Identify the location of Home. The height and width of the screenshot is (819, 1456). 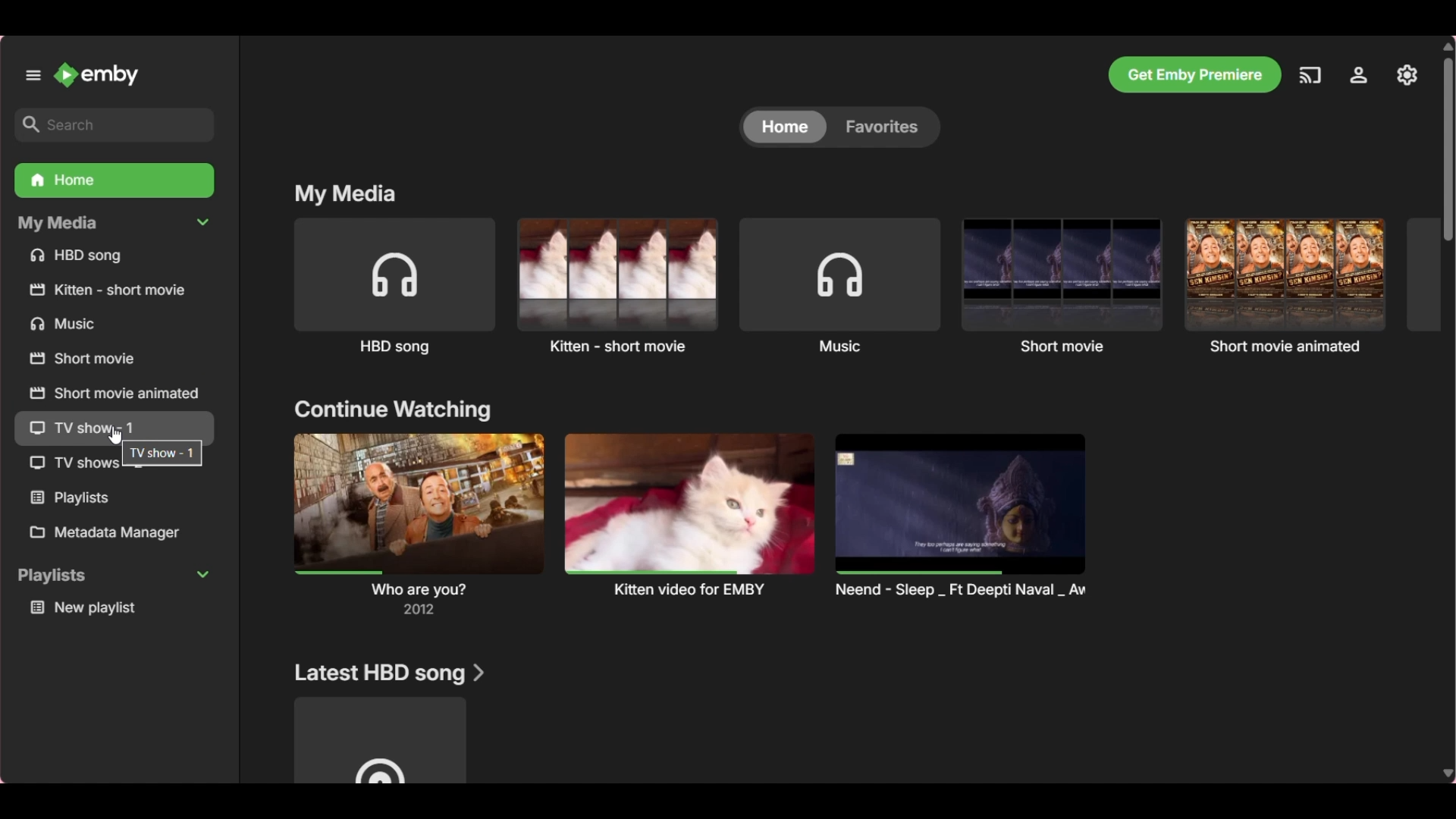
(785, 127).